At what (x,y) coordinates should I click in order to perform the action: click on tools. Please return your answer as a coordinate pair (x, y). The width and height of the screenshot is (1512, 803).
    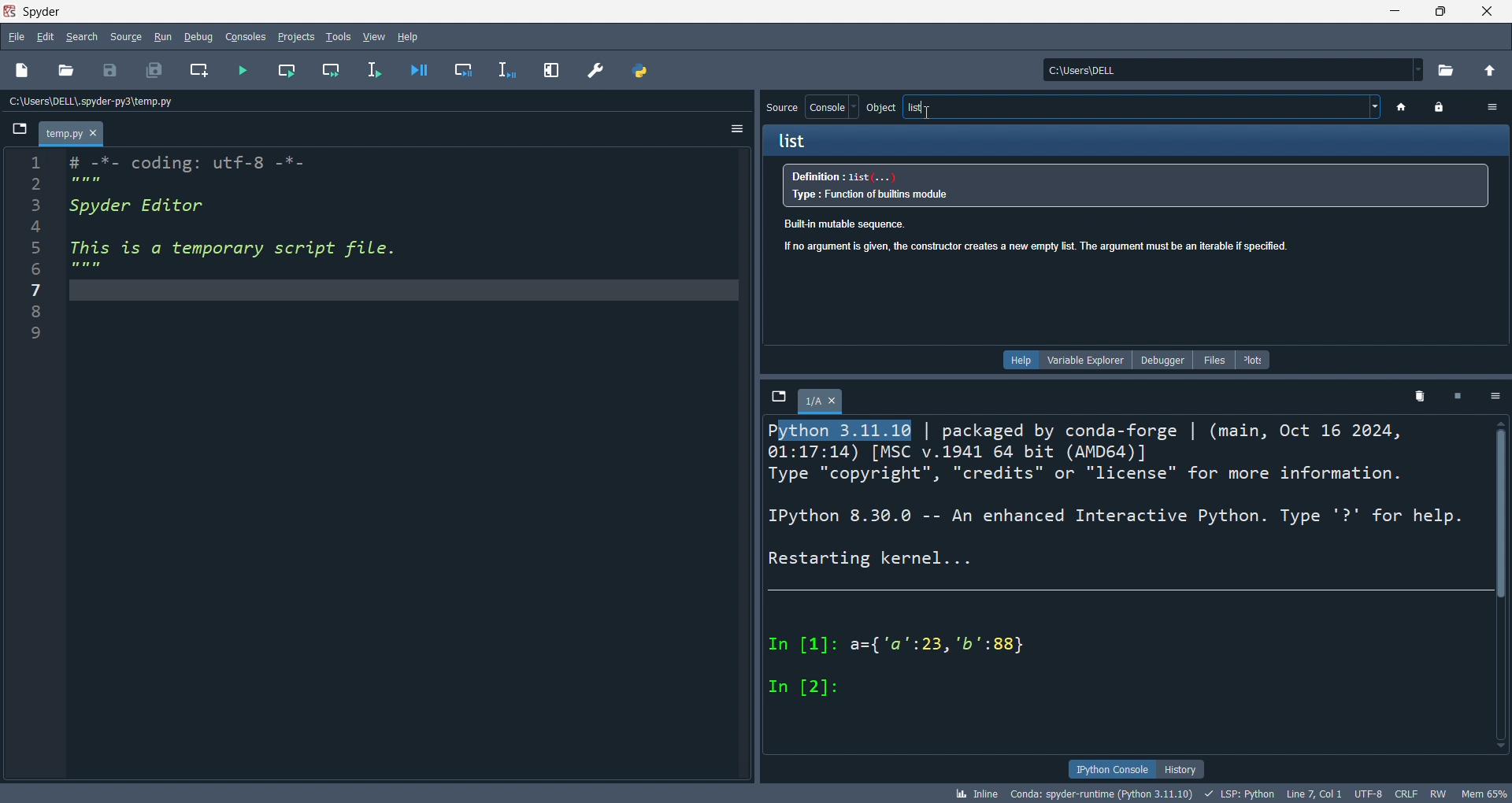
    Looking at the image, I should click on (338, 35).